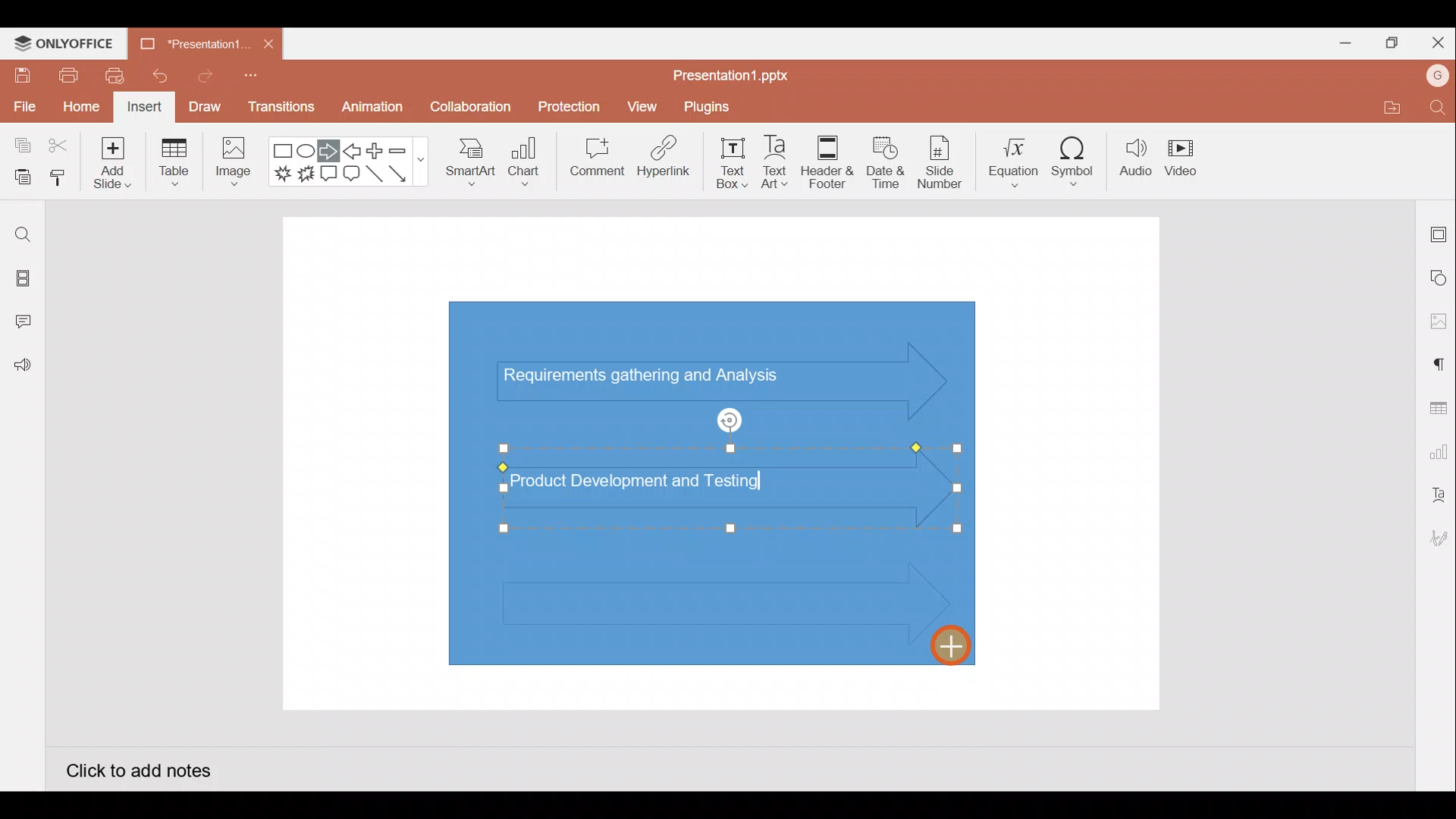 The height and width of the screenshot is (819, 1456). What do you see at coordinates (1439, 322) in the screenshot?
I see `Image settings` at bounding box center [1439, 322].